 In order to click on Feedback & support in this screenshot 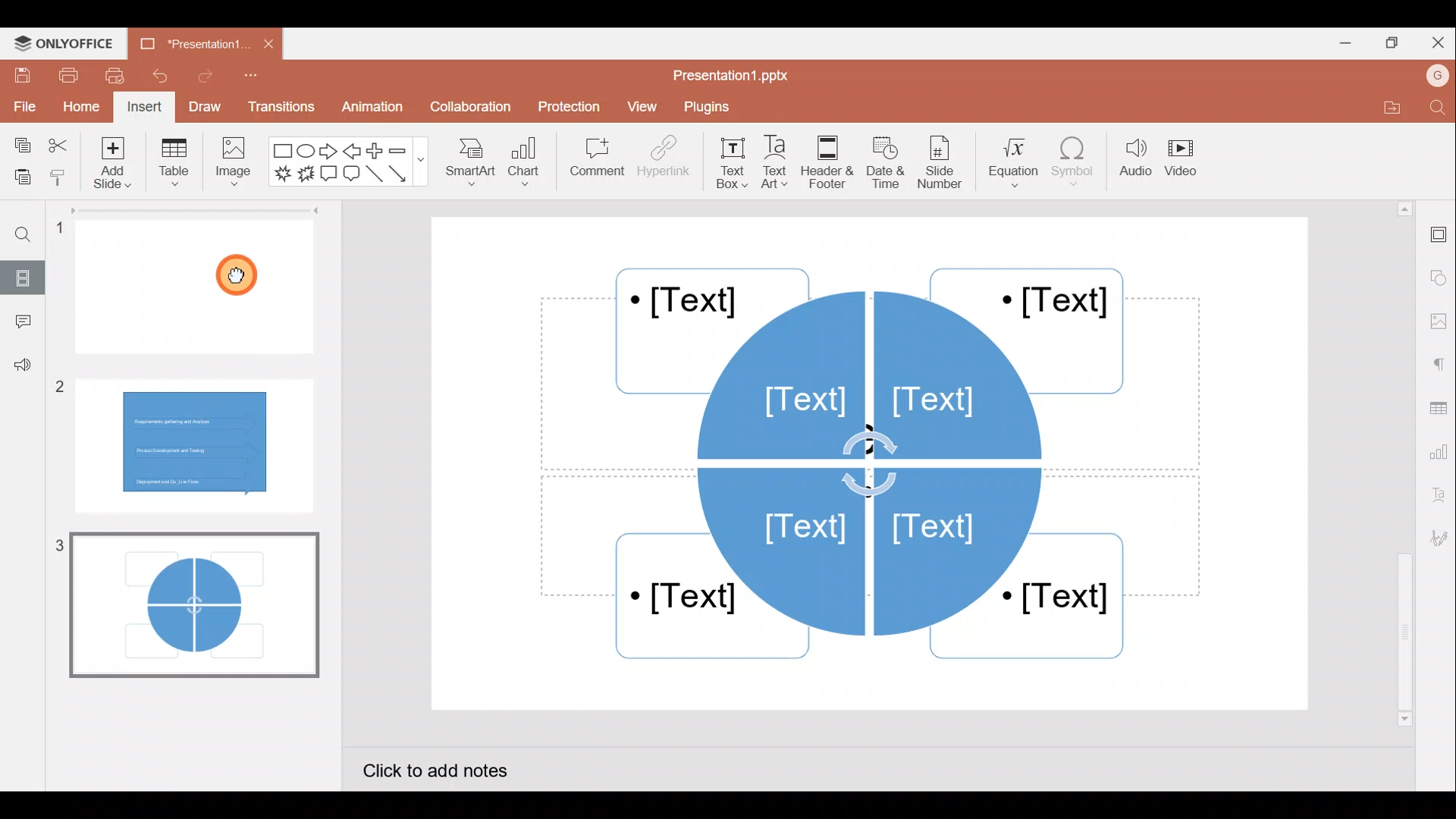, I will do `click(20, 370)`.